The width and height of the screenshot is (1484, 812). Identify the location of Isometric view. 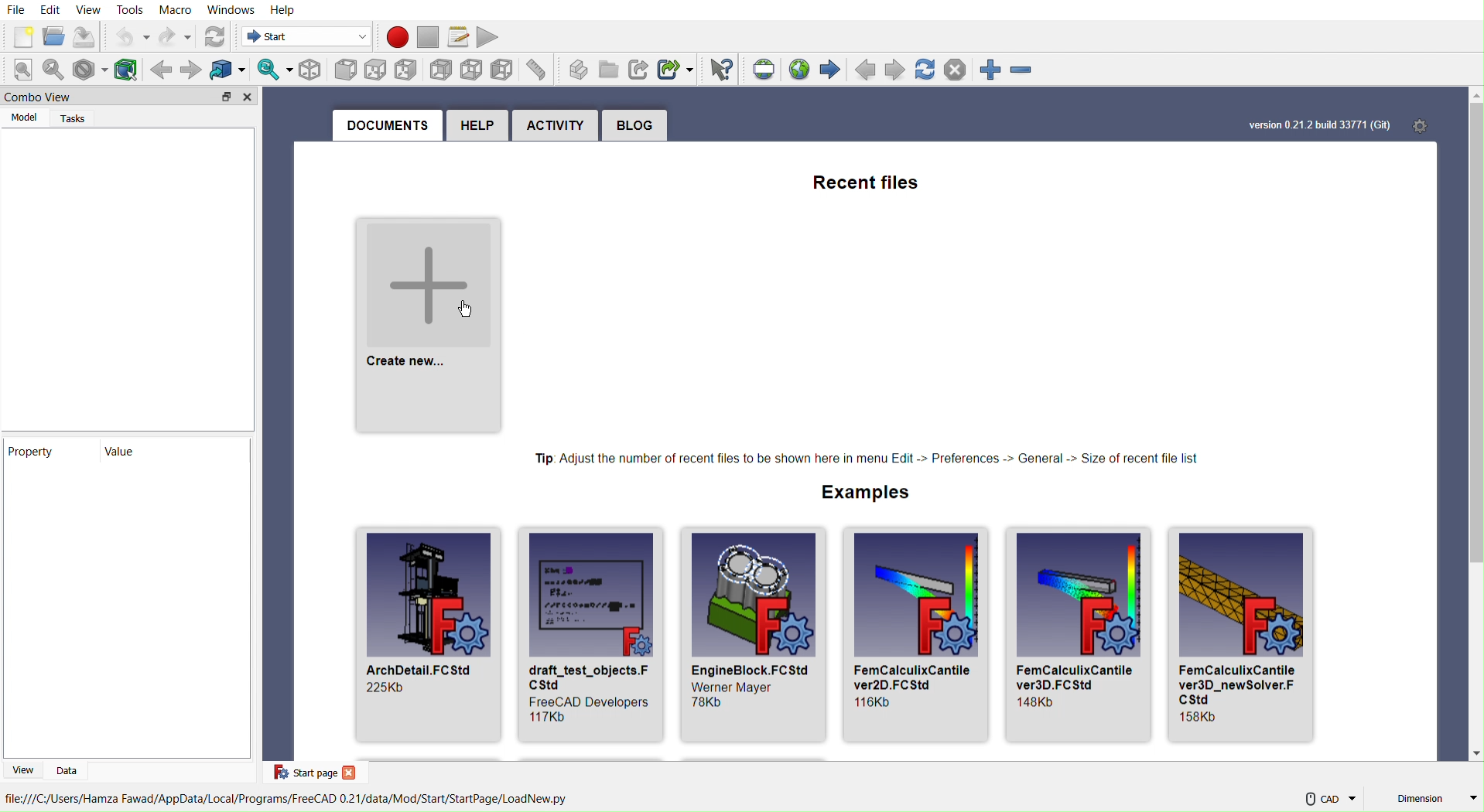
(311, 71).